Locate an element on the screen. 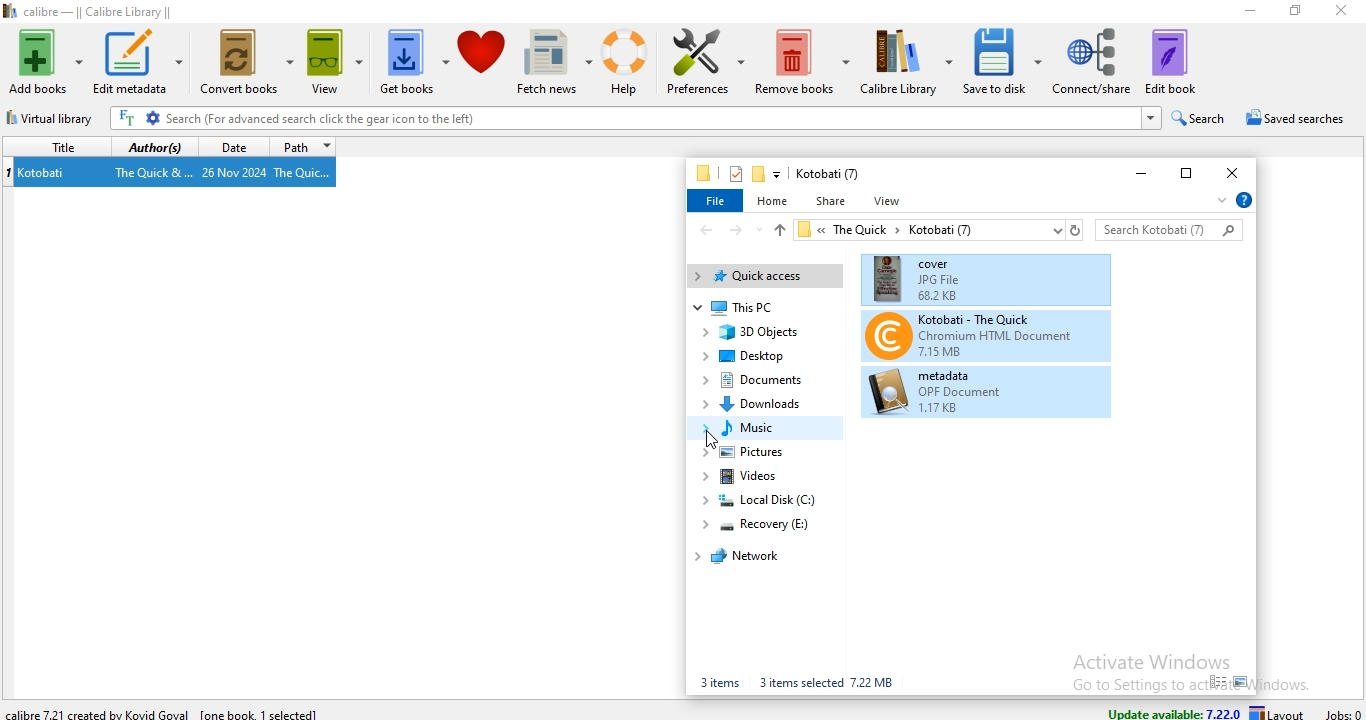 This screenshot has height=720, width=1366. 3D Objects is located at coordinates (762, 334).